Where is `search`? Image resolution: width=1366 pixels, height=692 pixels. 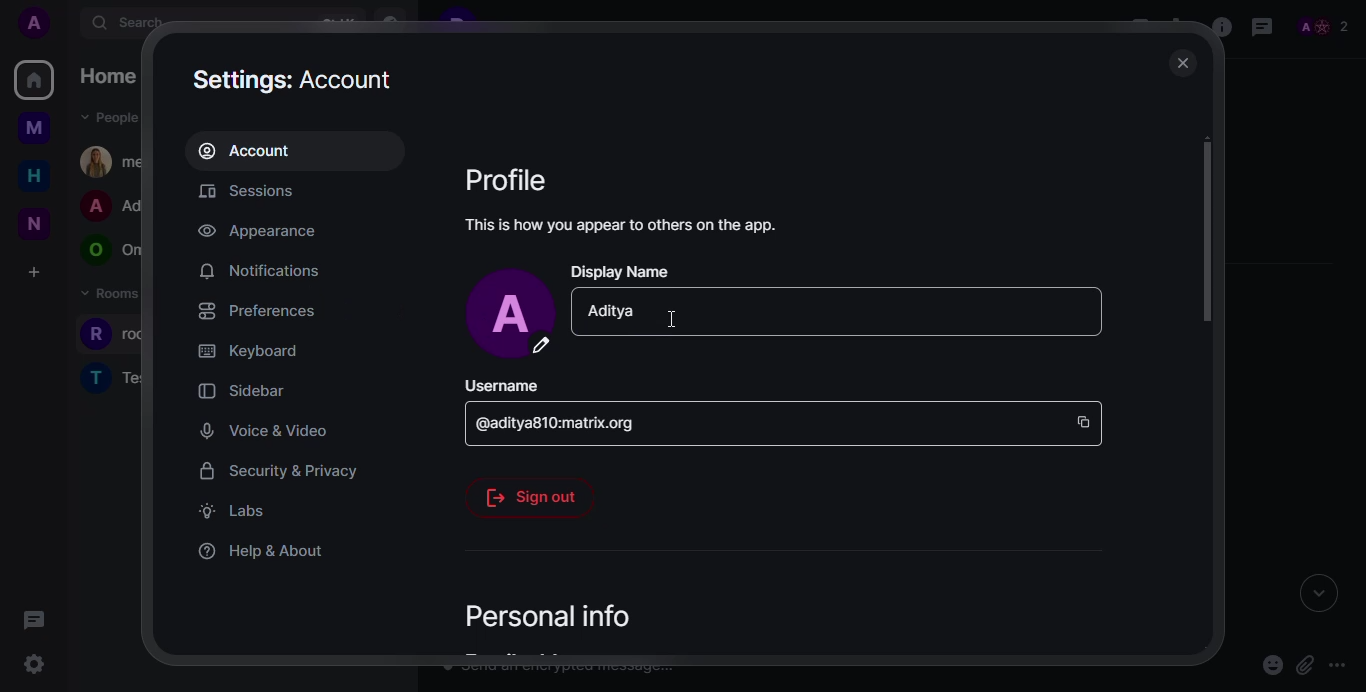
search is located at coordinates (127, 23).